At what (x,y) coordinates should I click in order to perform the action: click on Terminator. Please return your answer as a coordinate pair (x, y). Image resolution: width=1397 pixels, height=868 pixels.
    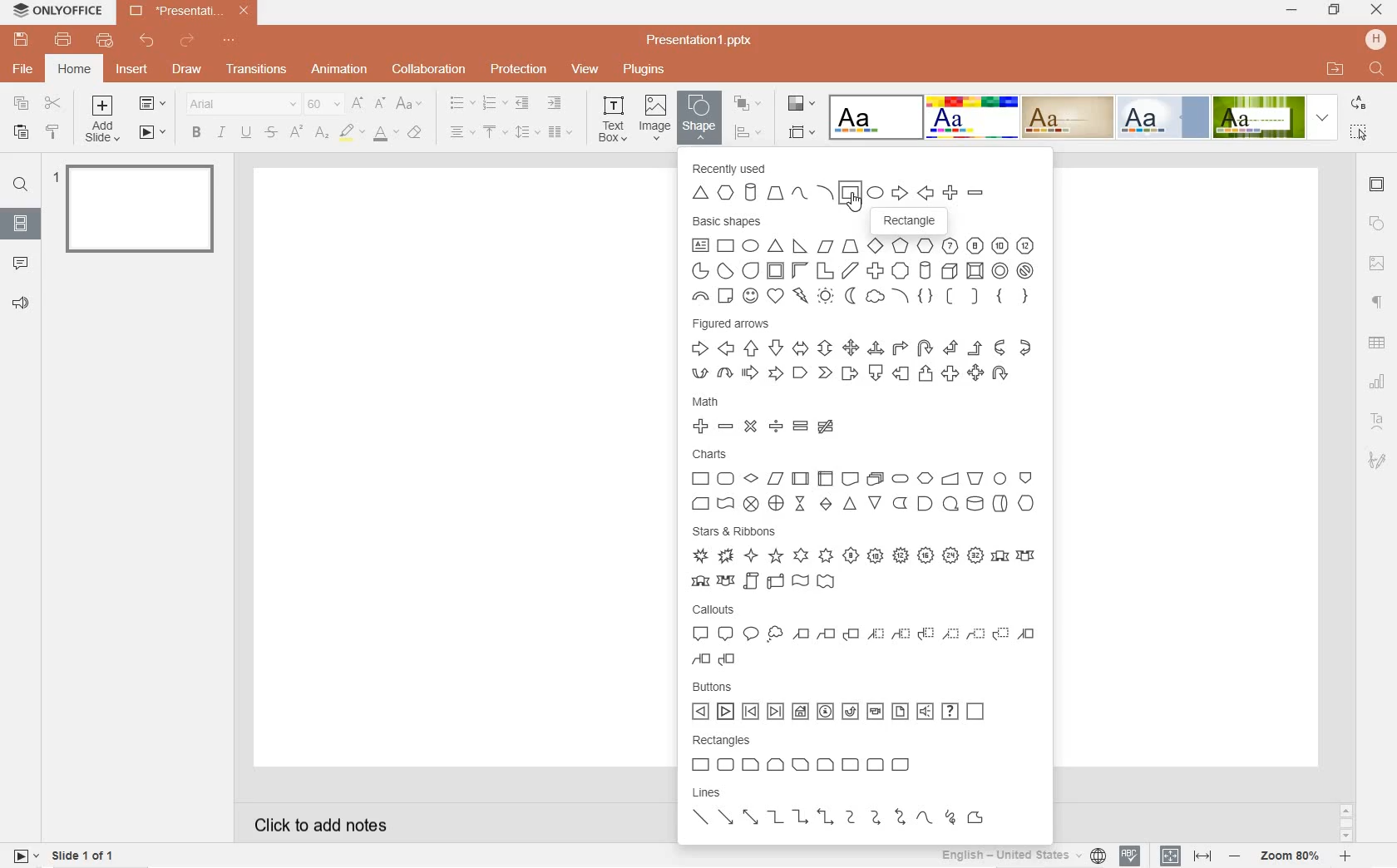
    Looking at the image, I should click on (901, 479).